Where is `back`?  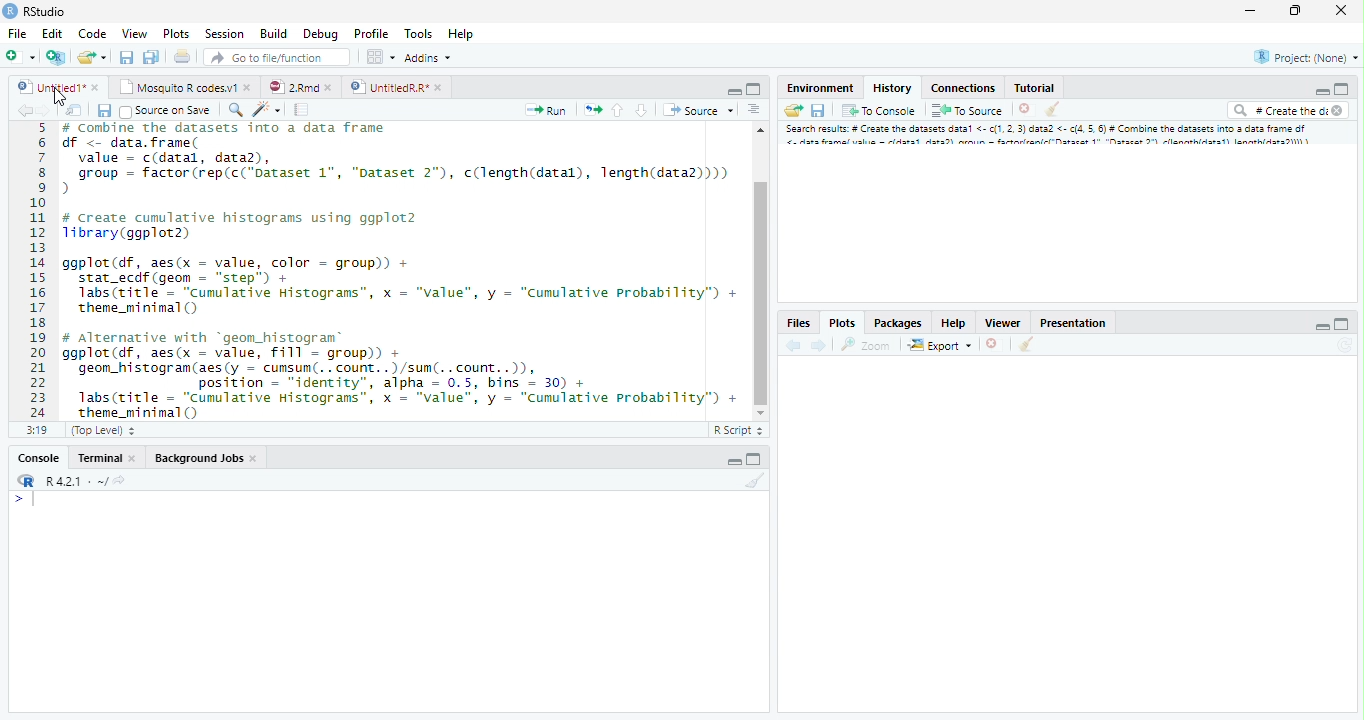 back is located at coordinates (794, 347).